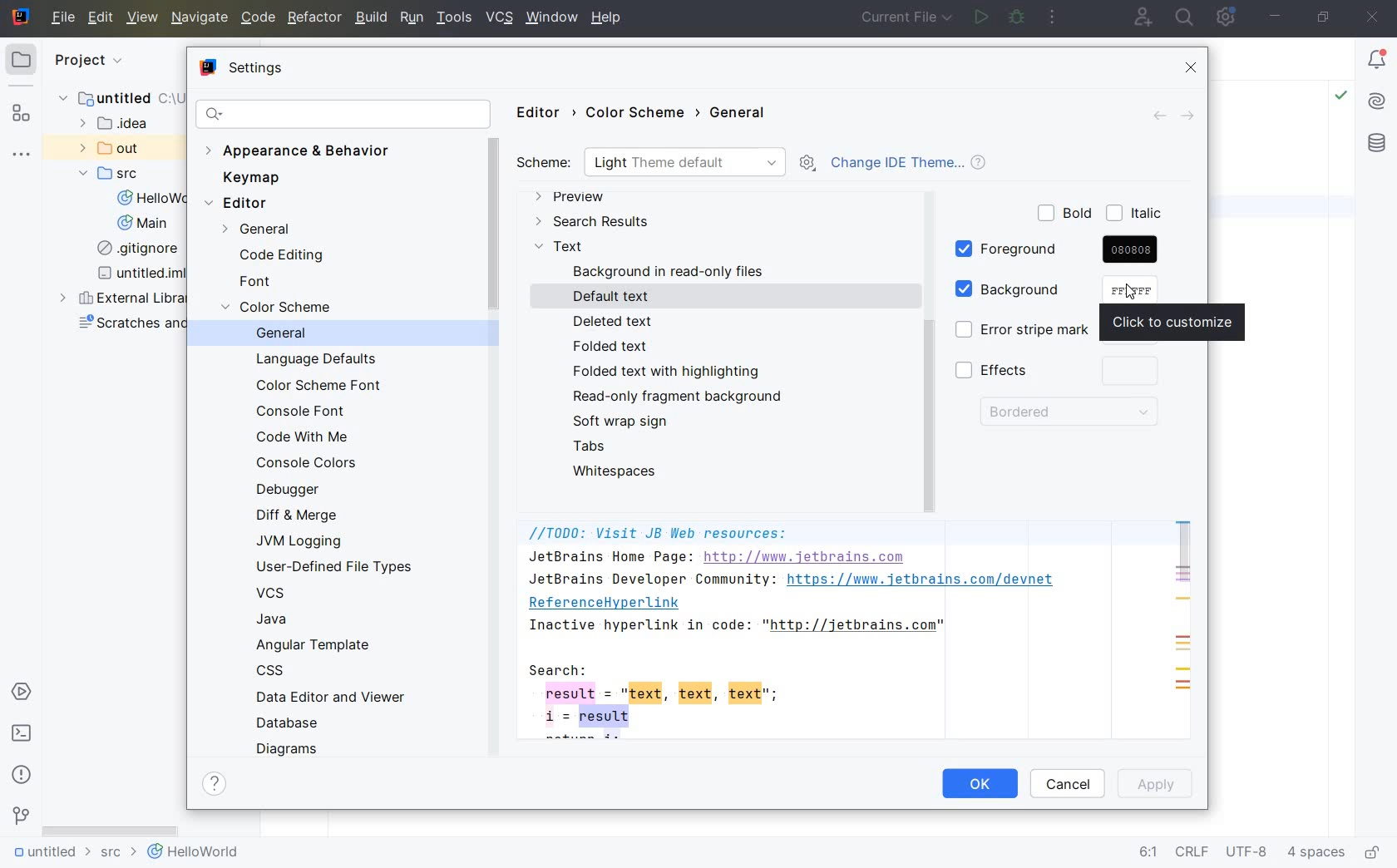 This screenshot has height=868, width=1397. What do you see at coordinates (625, 422) in the screenshot?
I see `SOFT WRAP SIGN` at bounding box center [625, 422].